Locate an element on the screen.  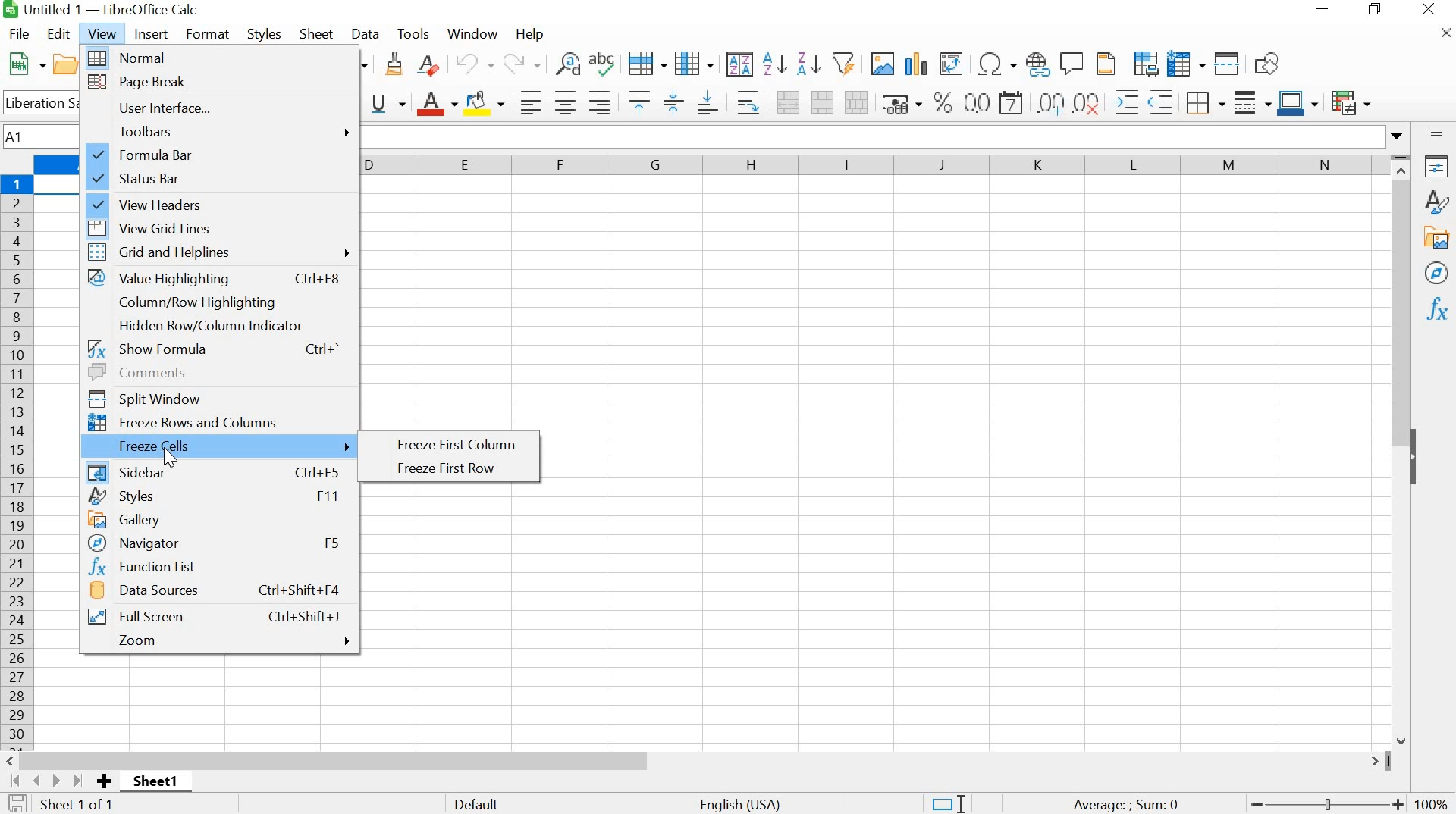
ALIGN RIGHT is located at coordinates (600, 102).